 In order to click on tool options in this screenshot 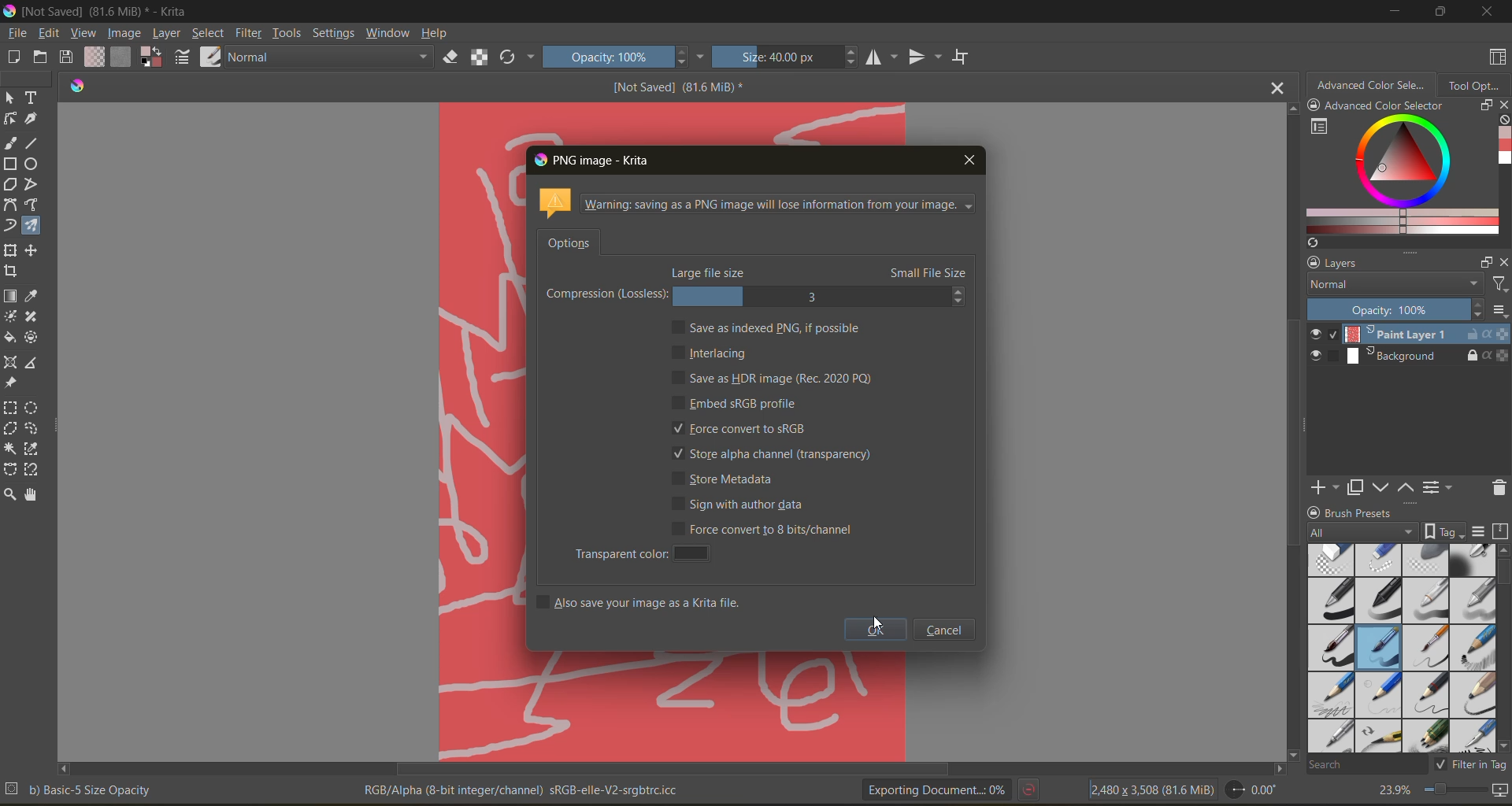, I will do `click(1475, 84)`.